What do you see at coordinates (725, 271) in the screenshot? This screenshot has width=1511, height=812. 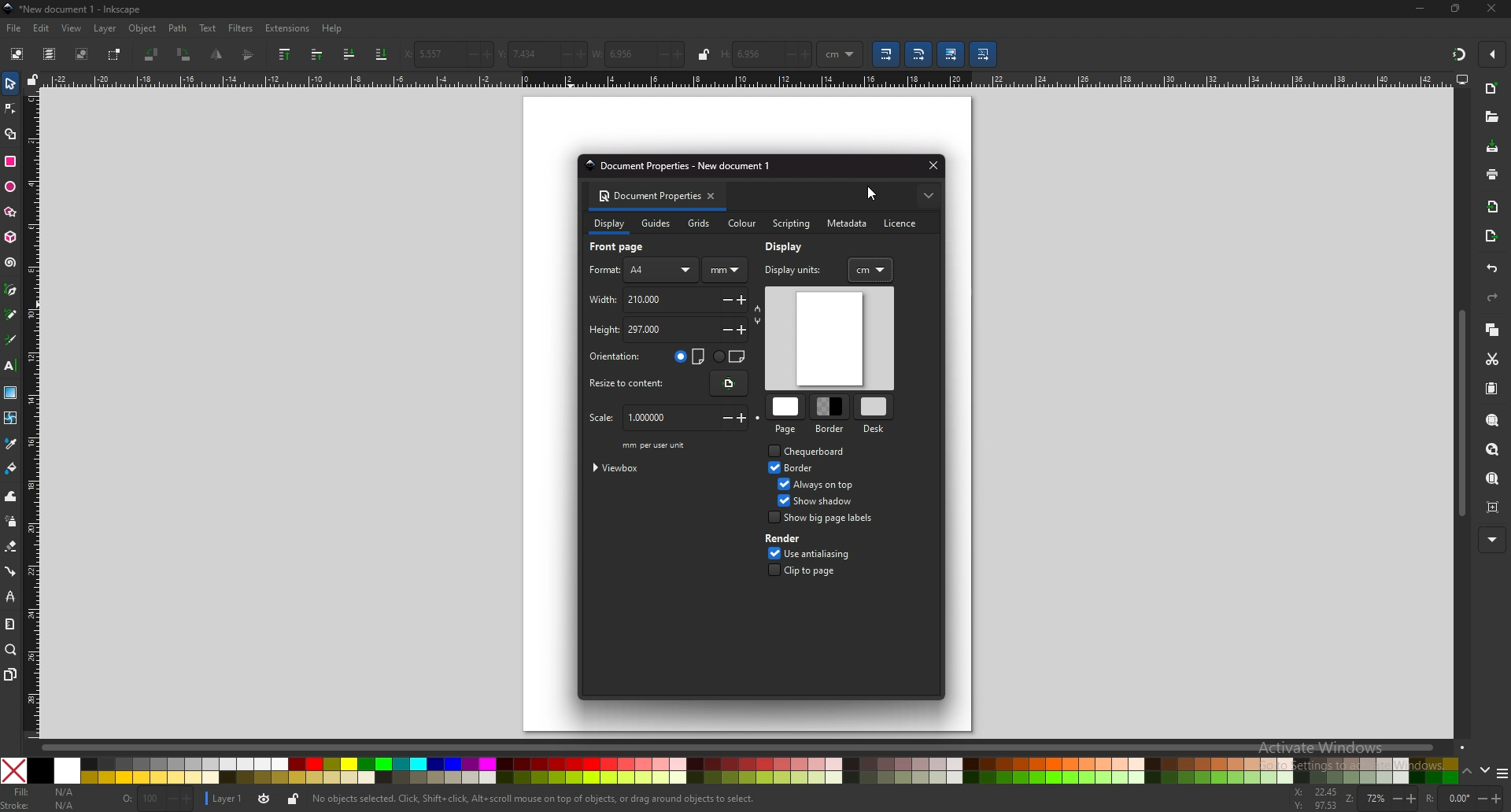 I see `mm` at bounding box center [725, 271].